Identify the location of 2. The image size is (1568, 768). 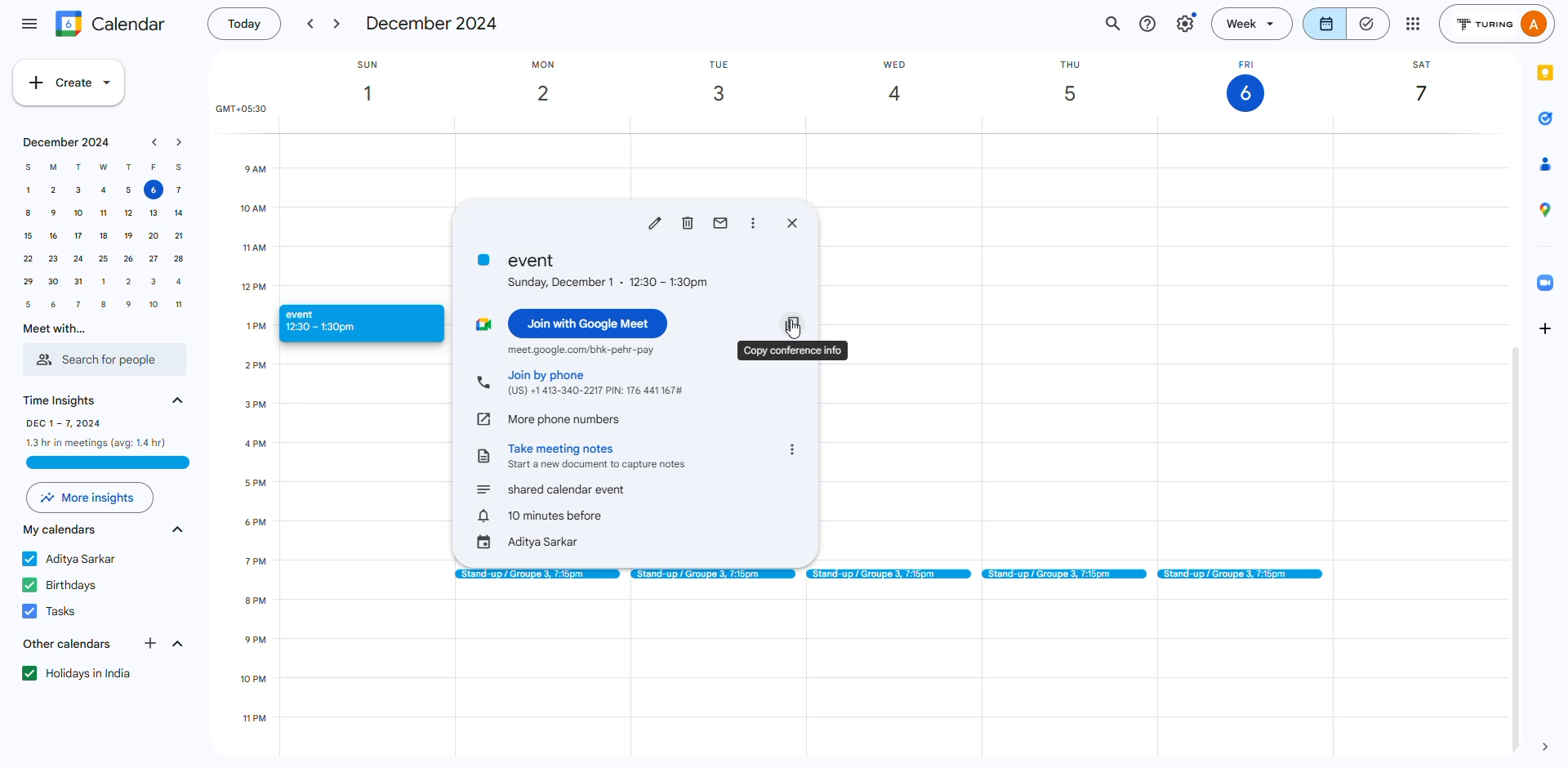
(129, 282).